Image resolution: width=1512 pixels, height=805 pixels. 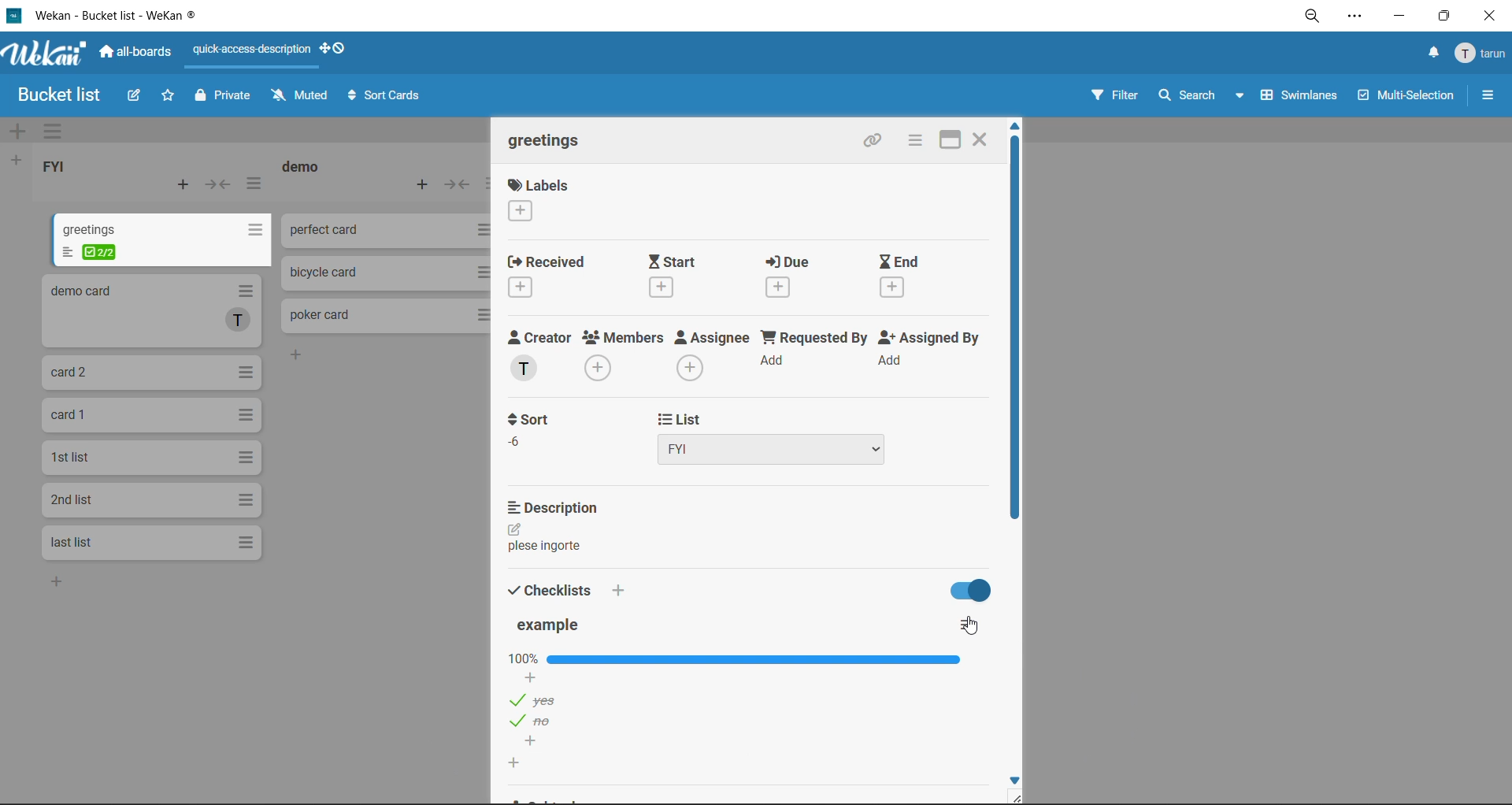 What do you see at coordinates (550, 550) in the screenshot?
I see `text` at bounding box center [550, 550].